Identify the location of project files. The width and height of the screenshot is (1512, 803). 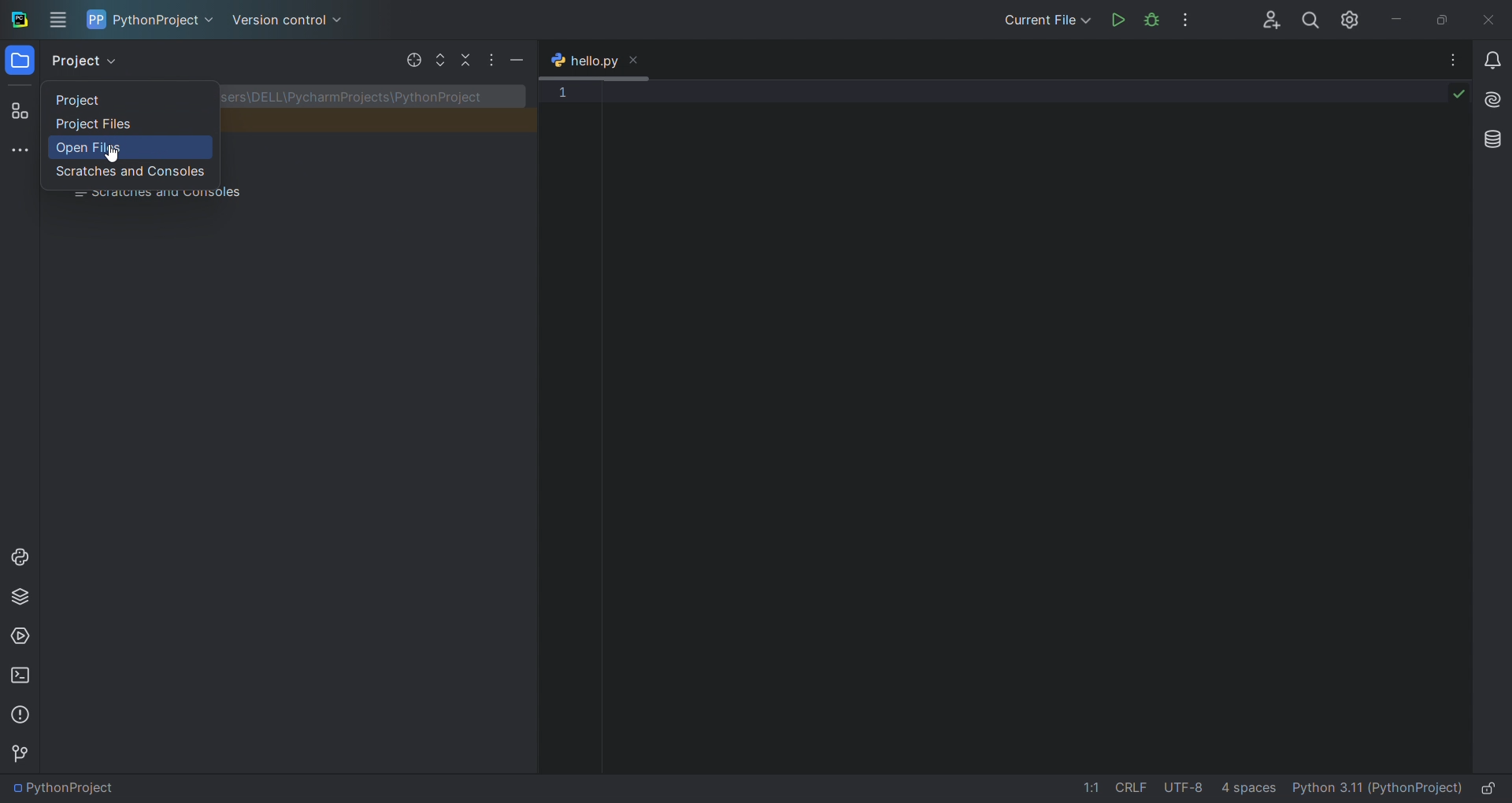
(128, 124).